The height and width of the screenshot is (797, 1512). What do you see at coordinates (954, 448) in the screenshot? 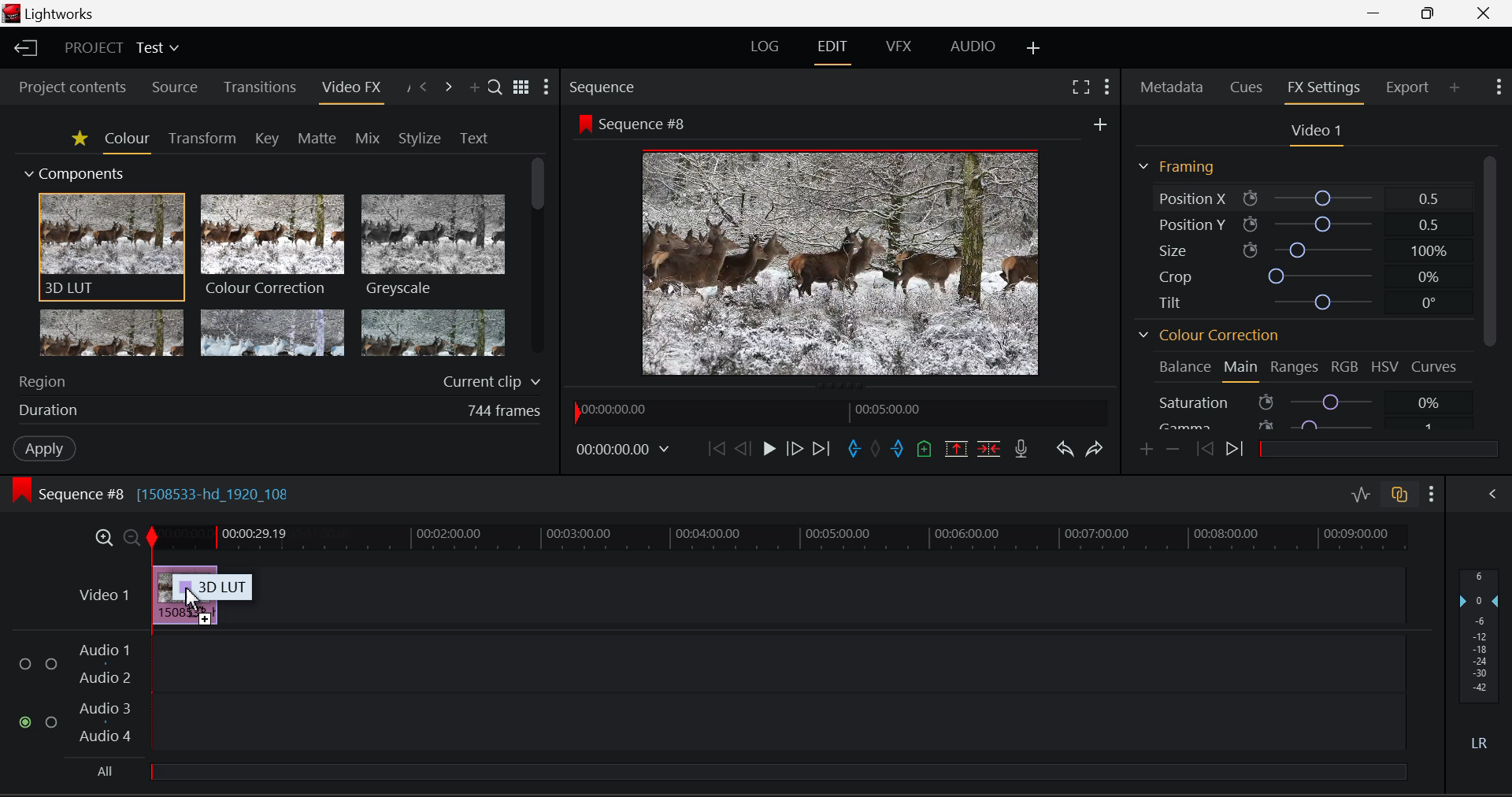
I see `Remove Marked Section` at bounding box center [954, 448].